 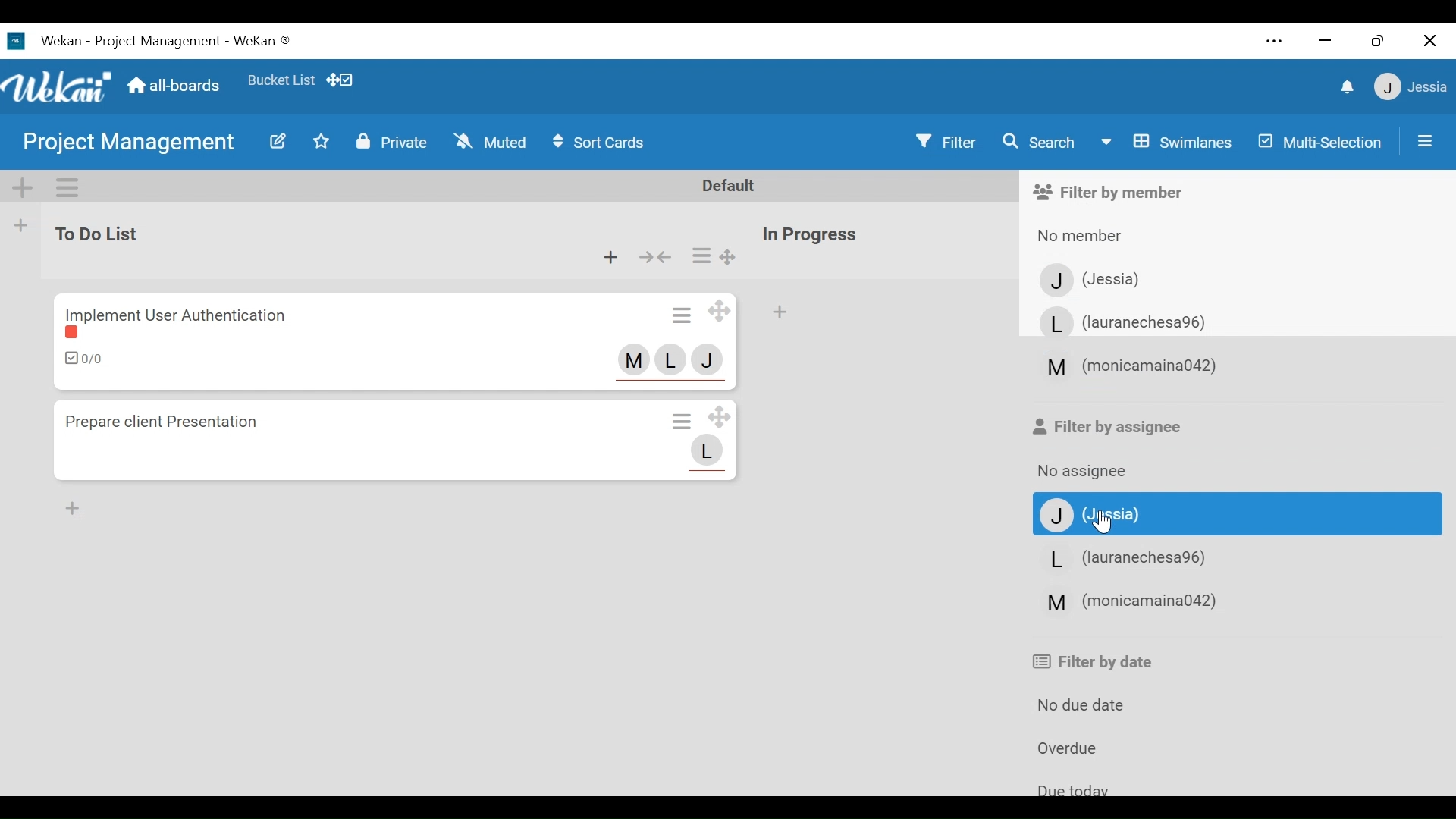 What do you see at coordinates (819, 232) in the screenshot?
I see `in progress` at bounding box center [819, 232].